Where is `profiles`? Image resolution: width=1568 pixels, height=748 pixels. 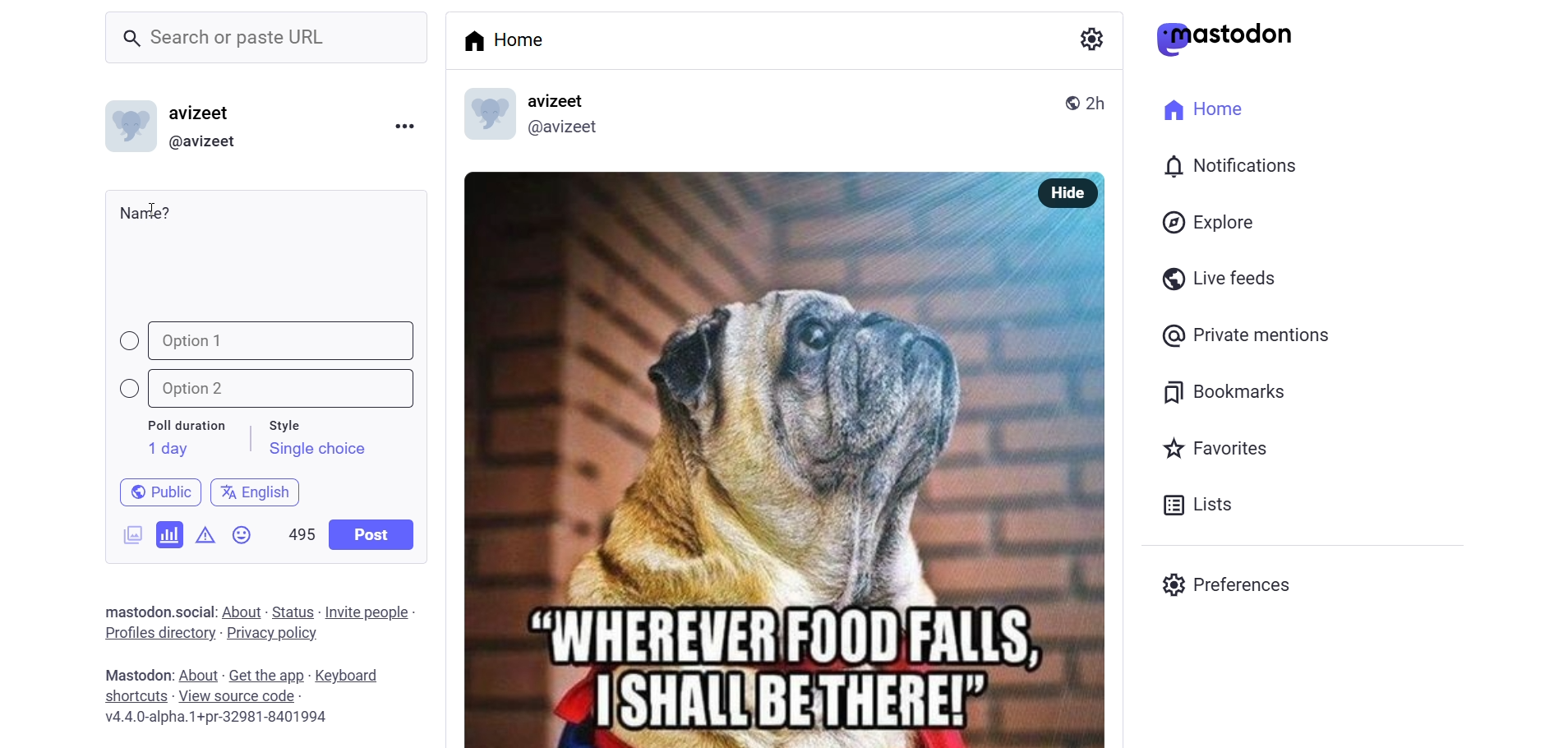
profiles is located at coordinates (159, 632).